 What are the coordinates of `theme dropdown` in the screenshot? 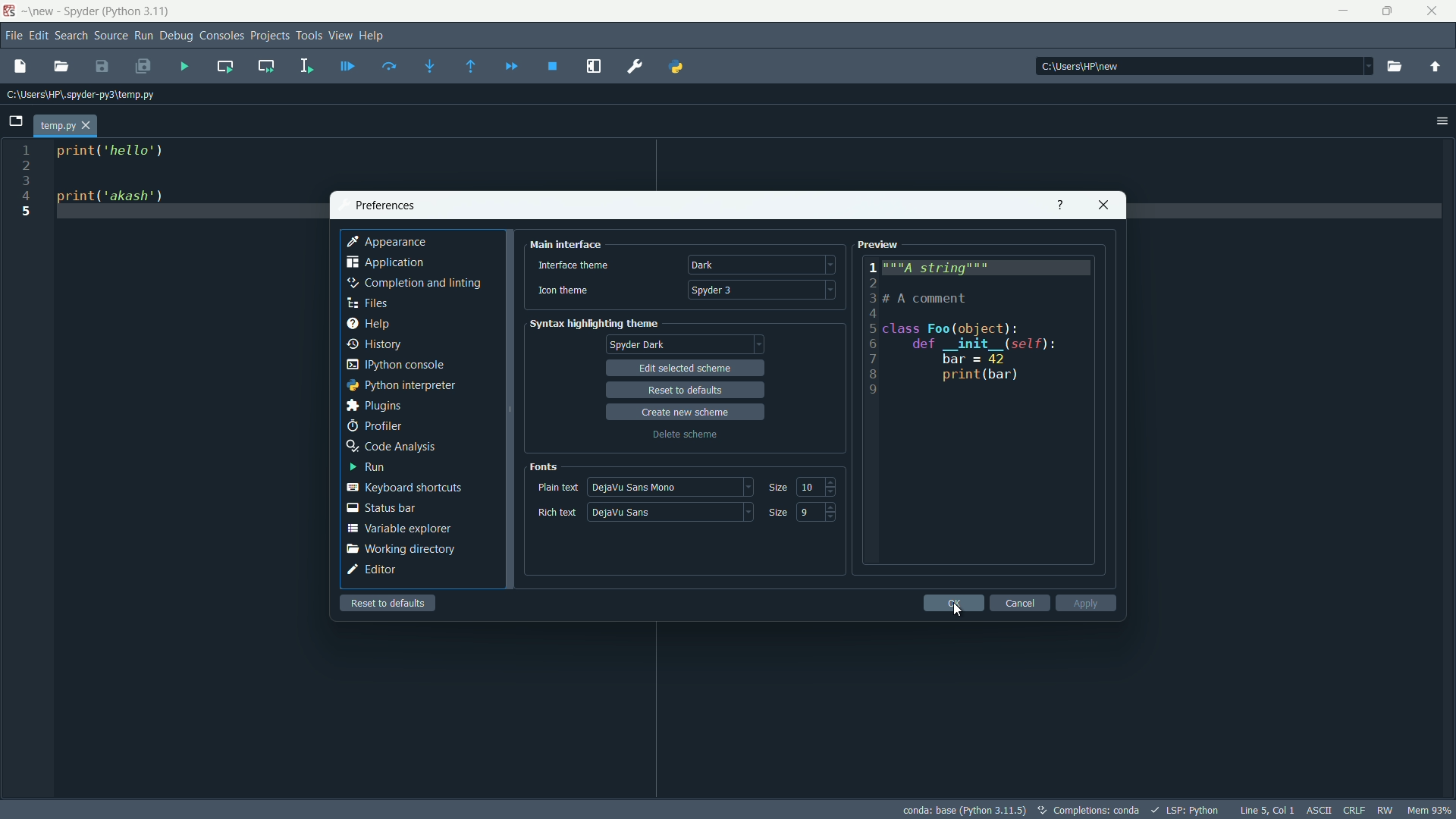 It's located at (762, 265).